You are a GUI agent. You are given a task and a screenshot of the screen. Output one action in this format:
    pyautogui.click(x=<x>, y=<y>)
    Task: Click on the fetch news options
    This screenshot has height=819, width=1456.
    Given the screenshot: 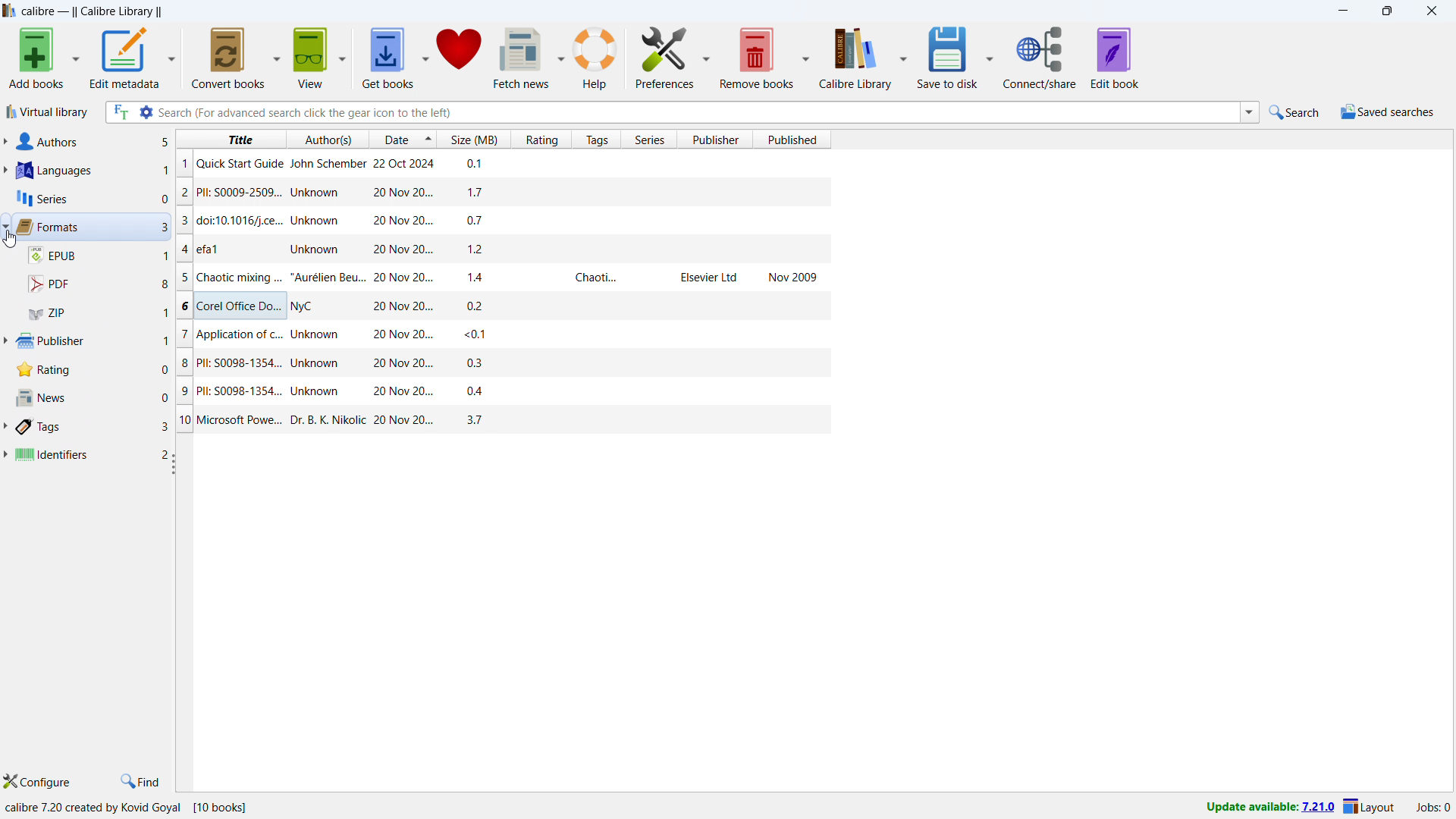 What is the action you would take?
    pyautogui.click(x=561, y=57)
    